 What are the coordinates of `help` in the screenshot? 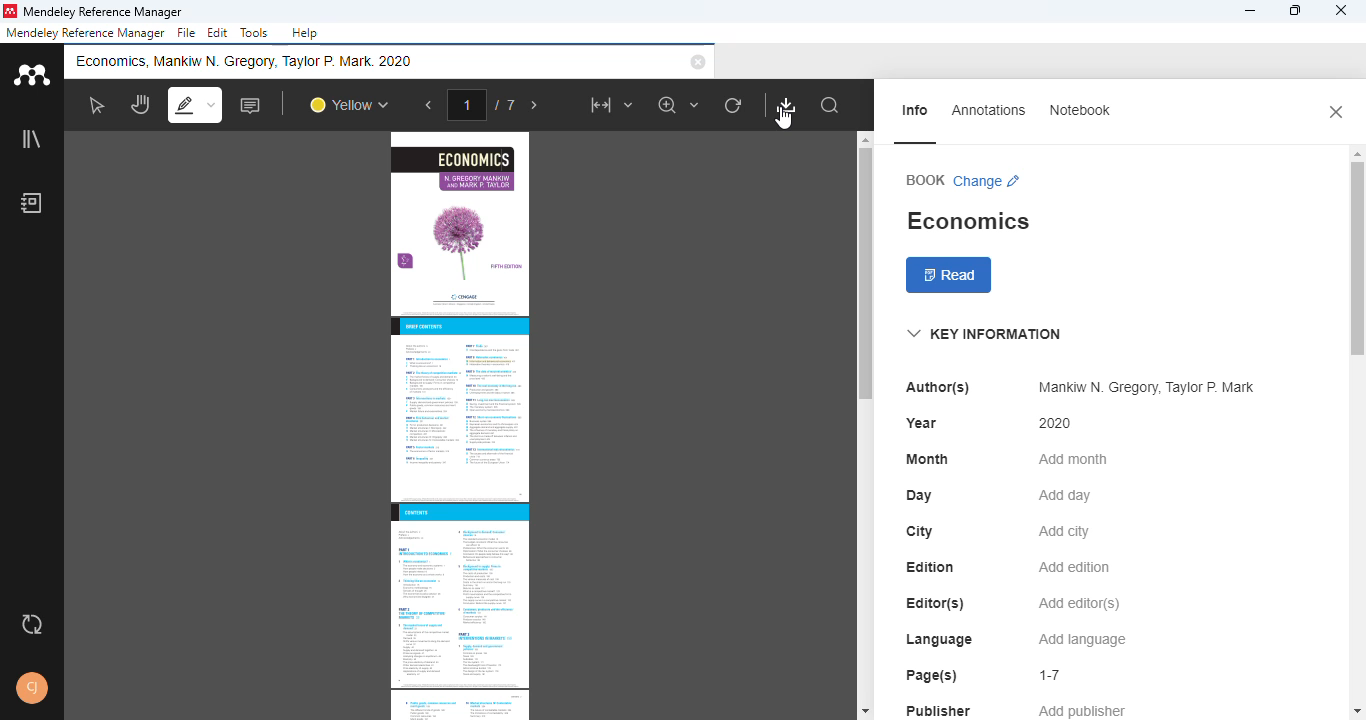 It's located at (305, 33).